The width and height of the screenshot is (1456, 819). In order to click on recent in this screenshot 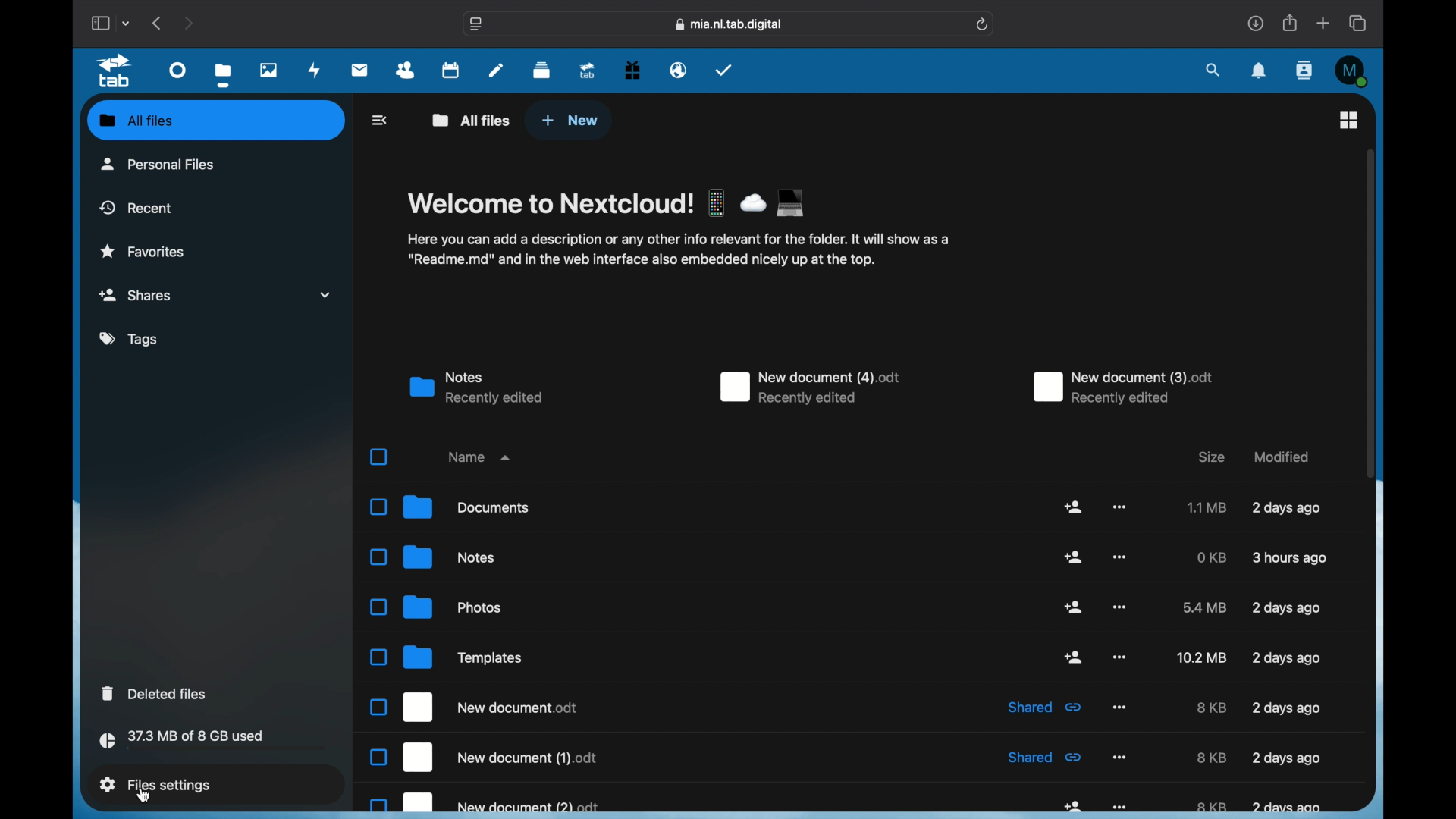, I will do `click(136, 207)`.